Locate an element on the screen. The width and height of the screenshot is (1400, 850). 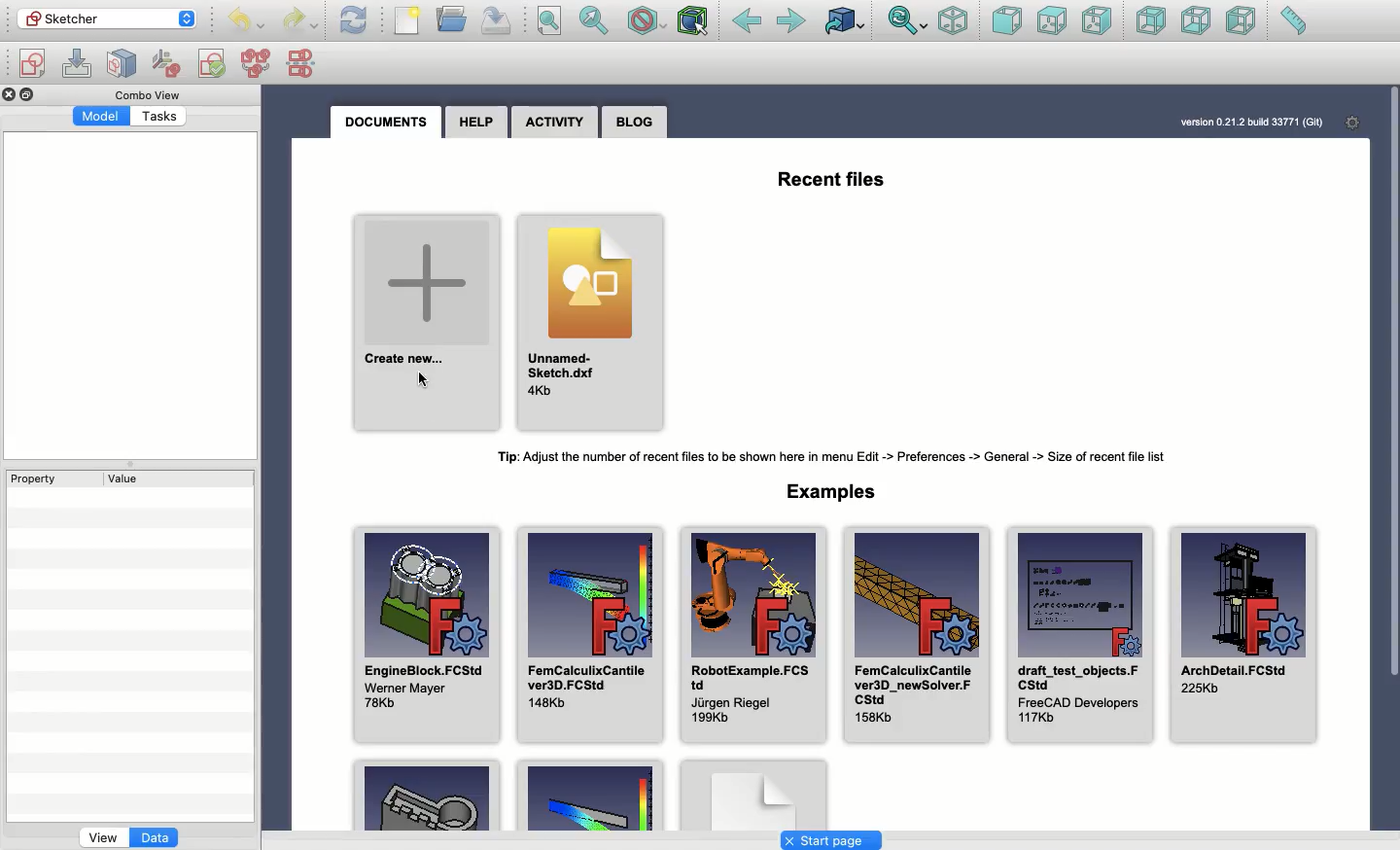
Sync view is located at coordinates (909, 20).